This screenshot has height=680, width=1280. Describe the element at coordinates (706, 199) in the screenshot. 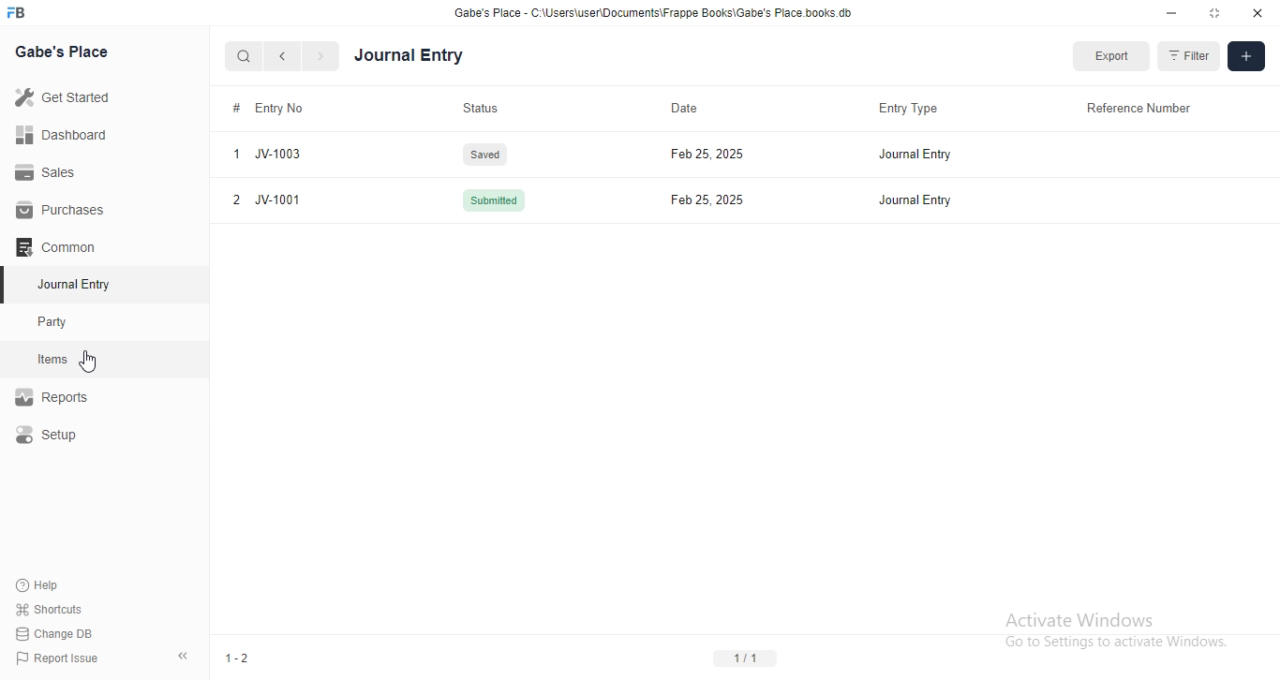

I see `Feb 25, 2025` at that location.